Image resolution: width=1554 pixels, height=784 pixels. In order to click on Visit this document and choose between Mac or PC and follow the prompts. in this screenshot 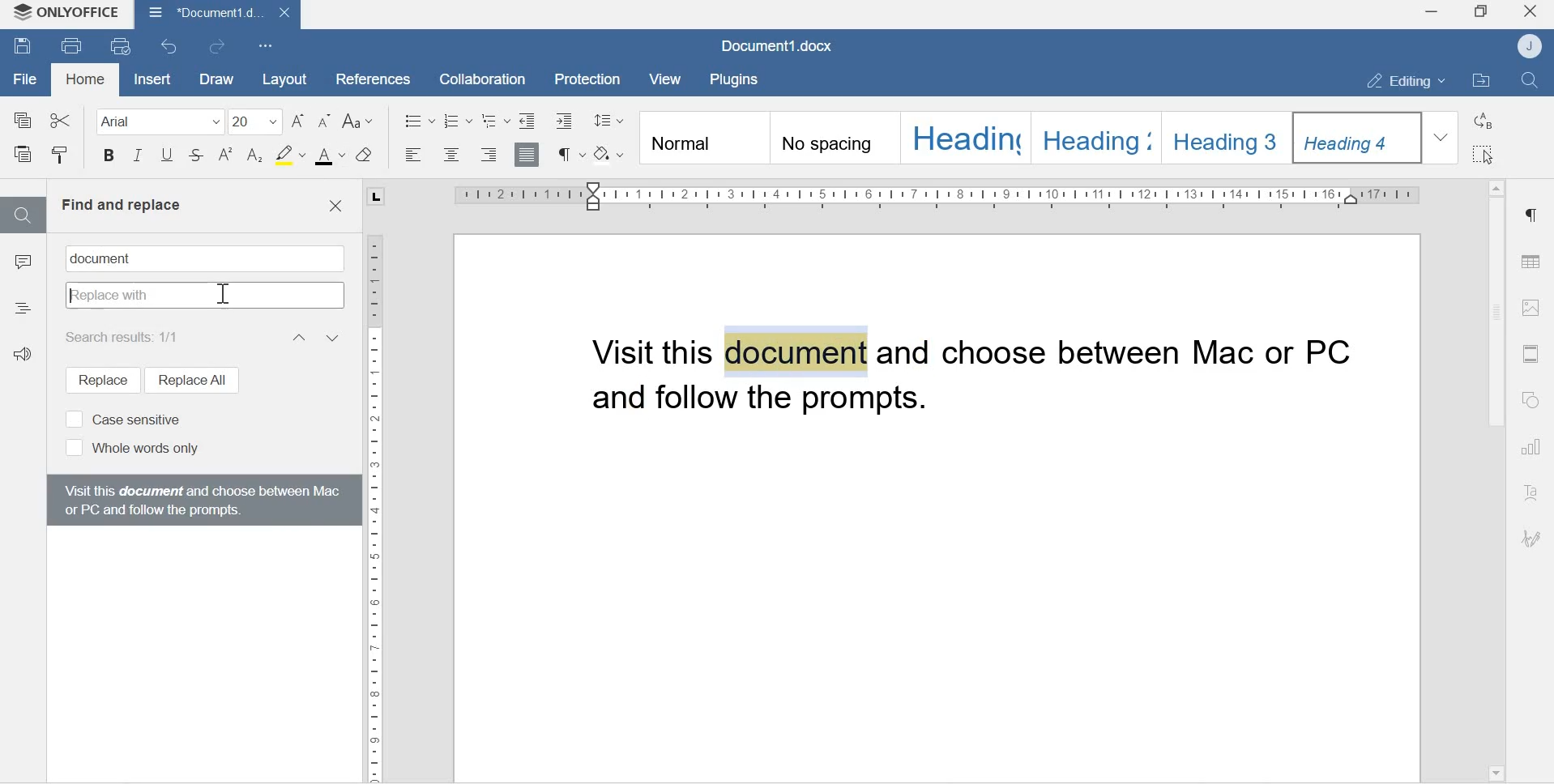, I will do `click(201, 499)`.